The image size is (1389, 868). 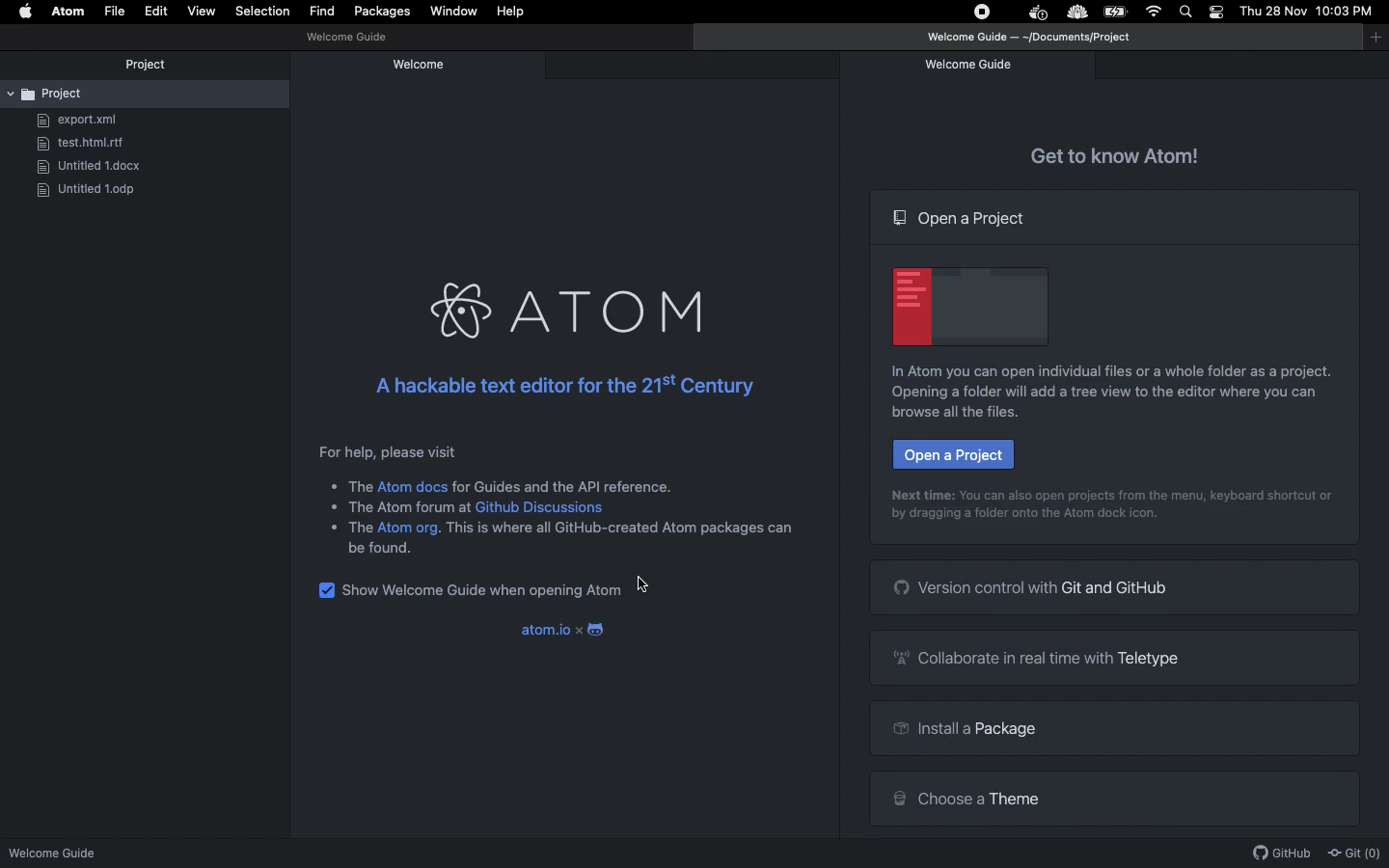 What do you see at coordinates (82, 122) in the screenshot?
I see `export.xml` at bounding box center [82, 122].